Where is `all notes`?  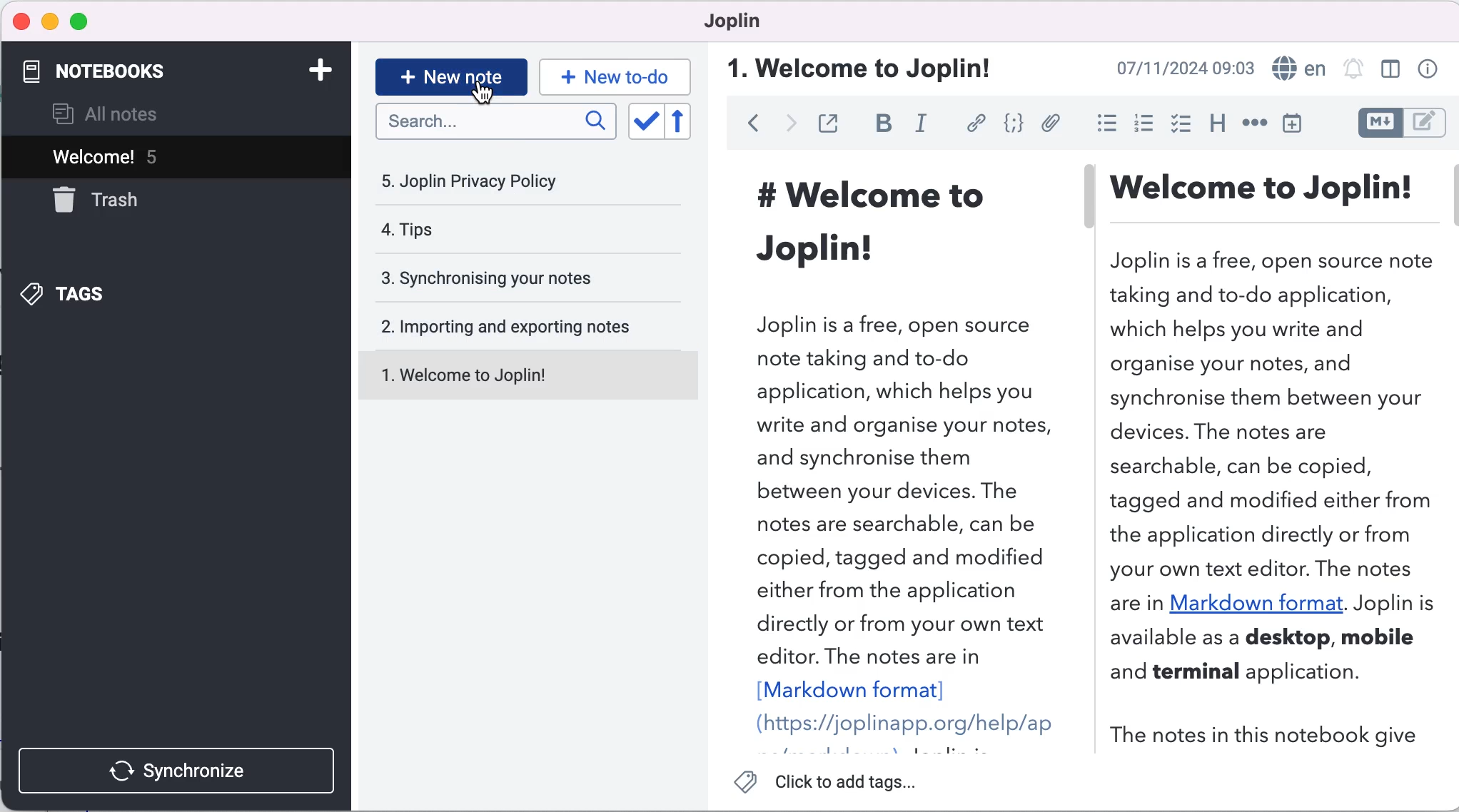 all notes is located at coordinates (128, 113).